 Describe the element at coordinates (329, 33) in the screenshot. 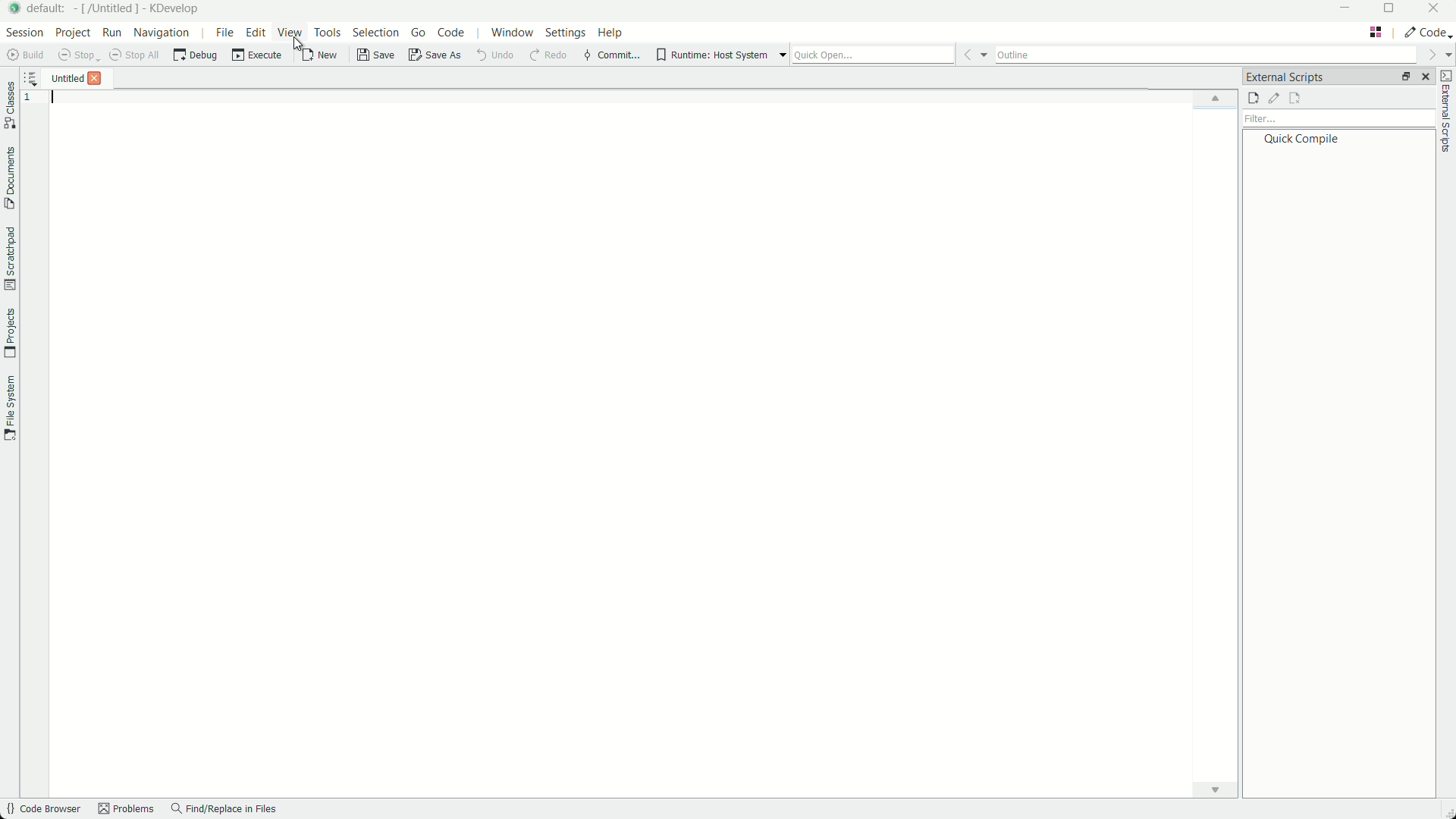

I see `tools` at that location.